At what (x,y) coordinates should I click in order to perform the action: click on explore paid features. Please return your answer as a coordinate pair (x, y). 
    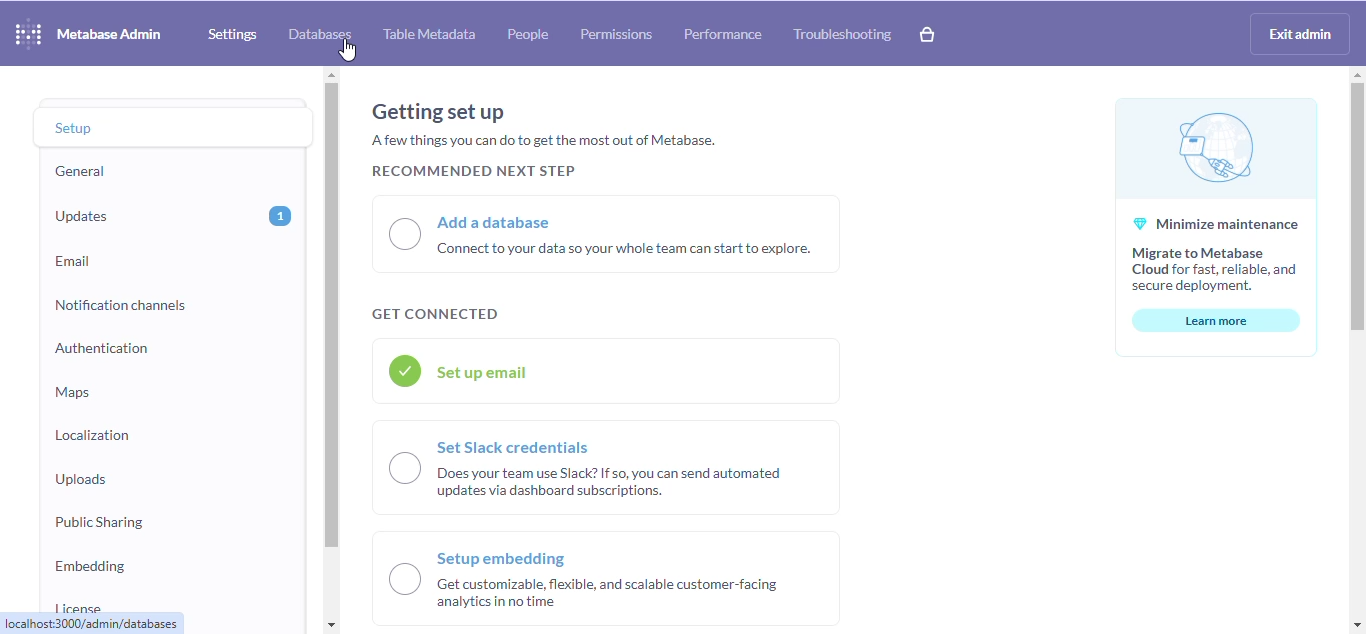
    Looking at the image, I should click on (927, 35).